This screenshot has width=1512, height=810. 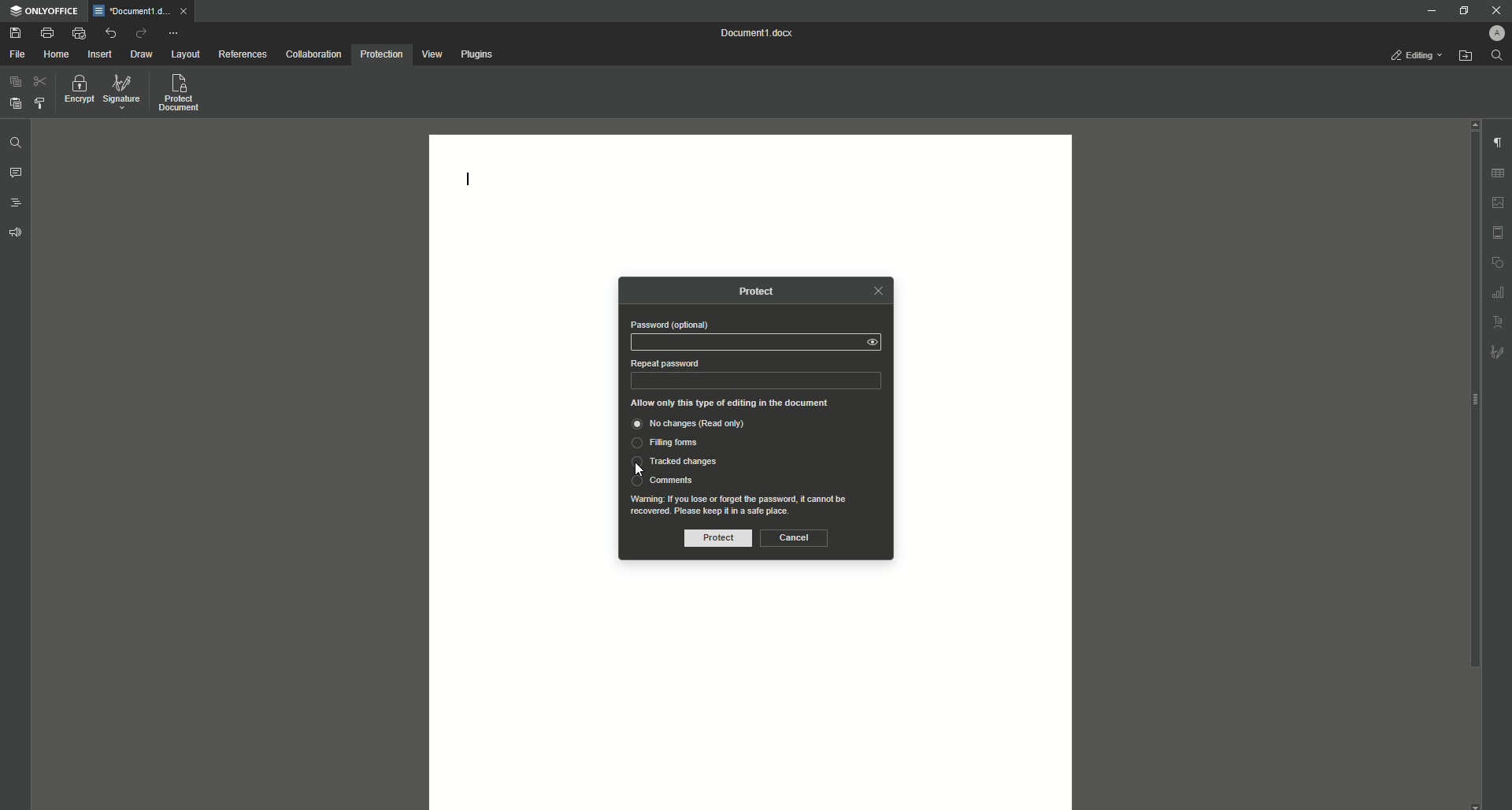 I want to click on Cancel, so click(x=795, y=538).